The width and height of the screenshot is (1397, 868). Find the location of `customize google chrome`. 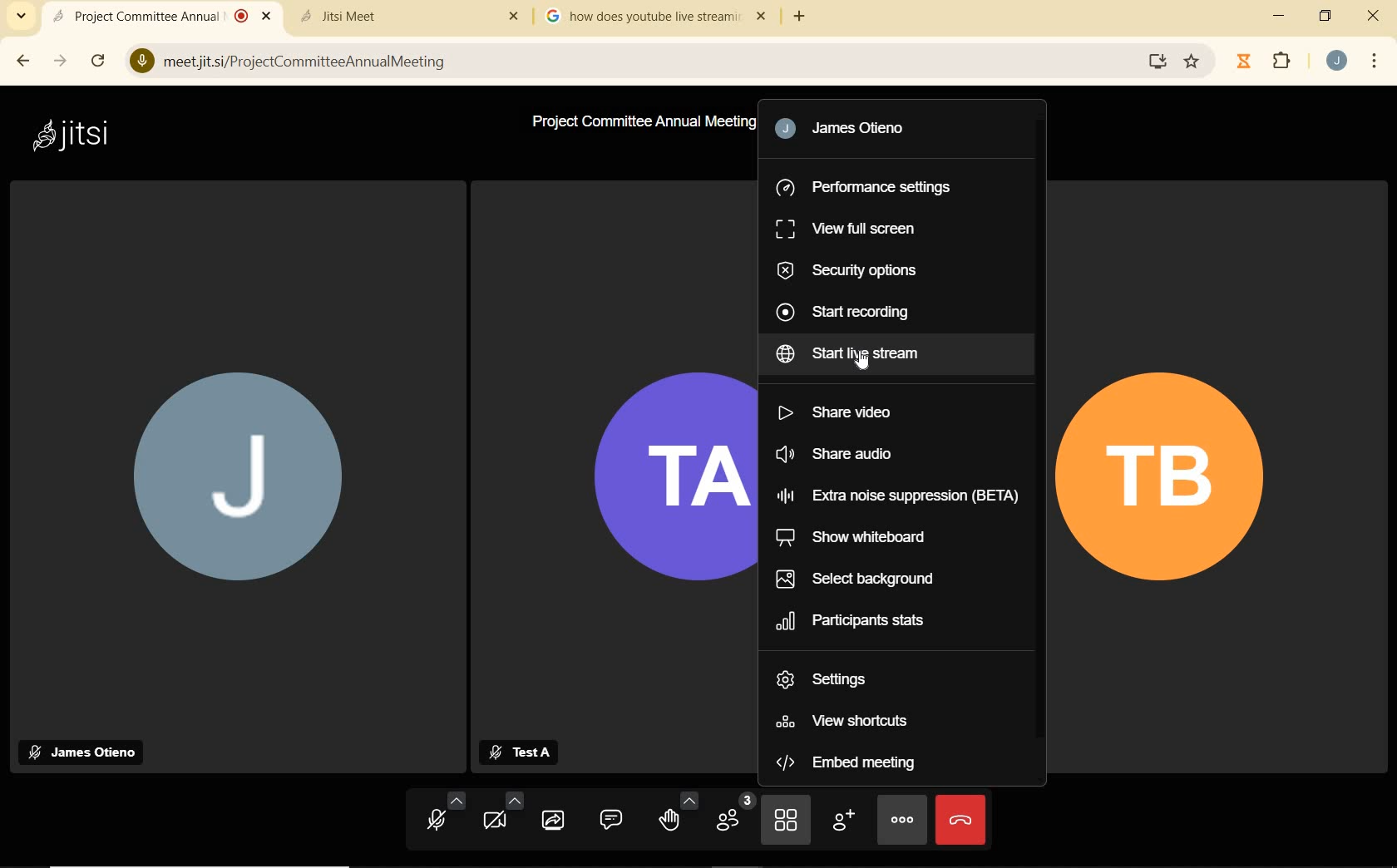

customize google chrome is located at coordinates (1379, 61).